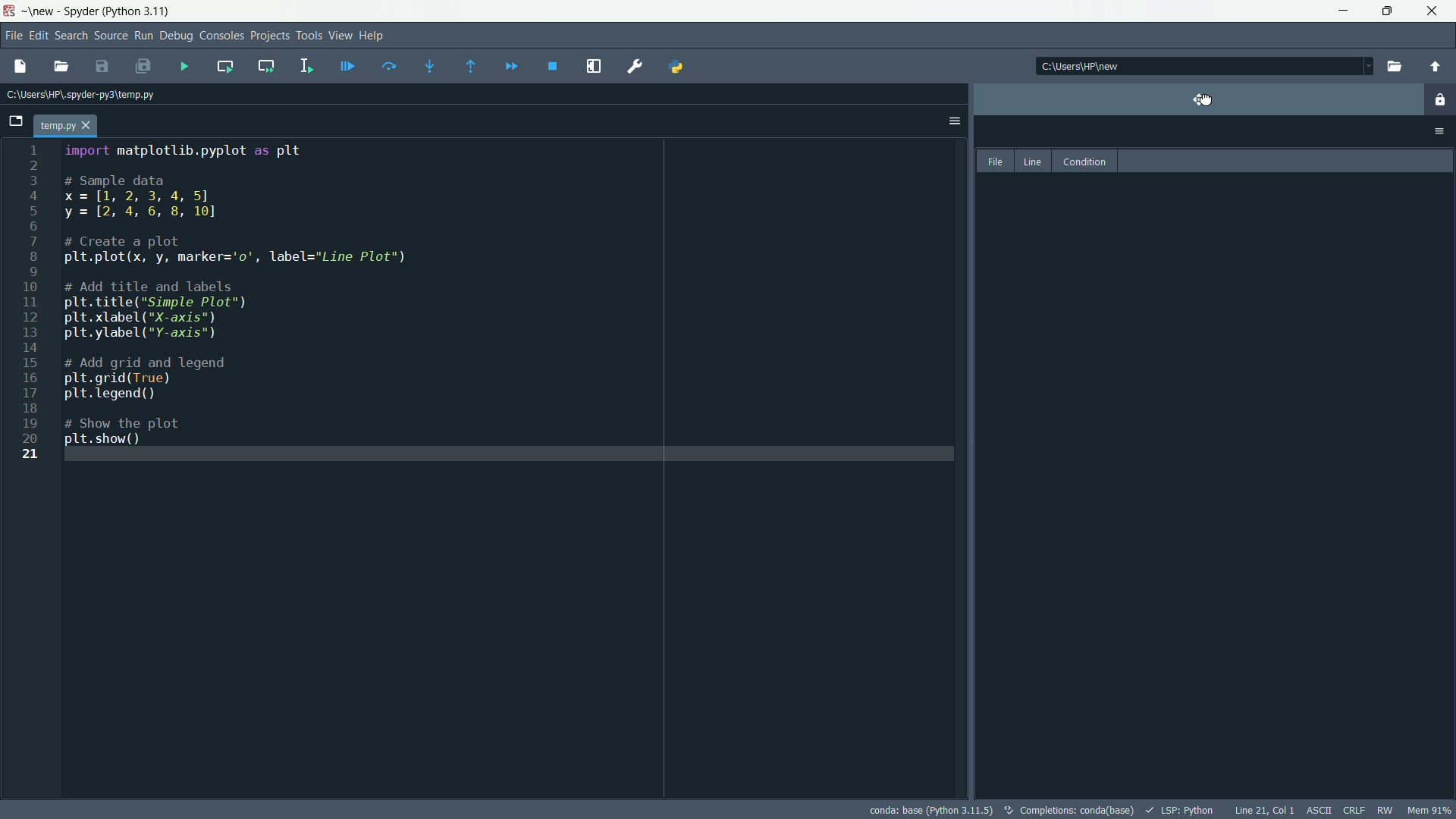 The image size is (1456, 819). What do you see at coordinates (102, 67) in the screenshot?
I see `save file` at bounding box center [102, 67].